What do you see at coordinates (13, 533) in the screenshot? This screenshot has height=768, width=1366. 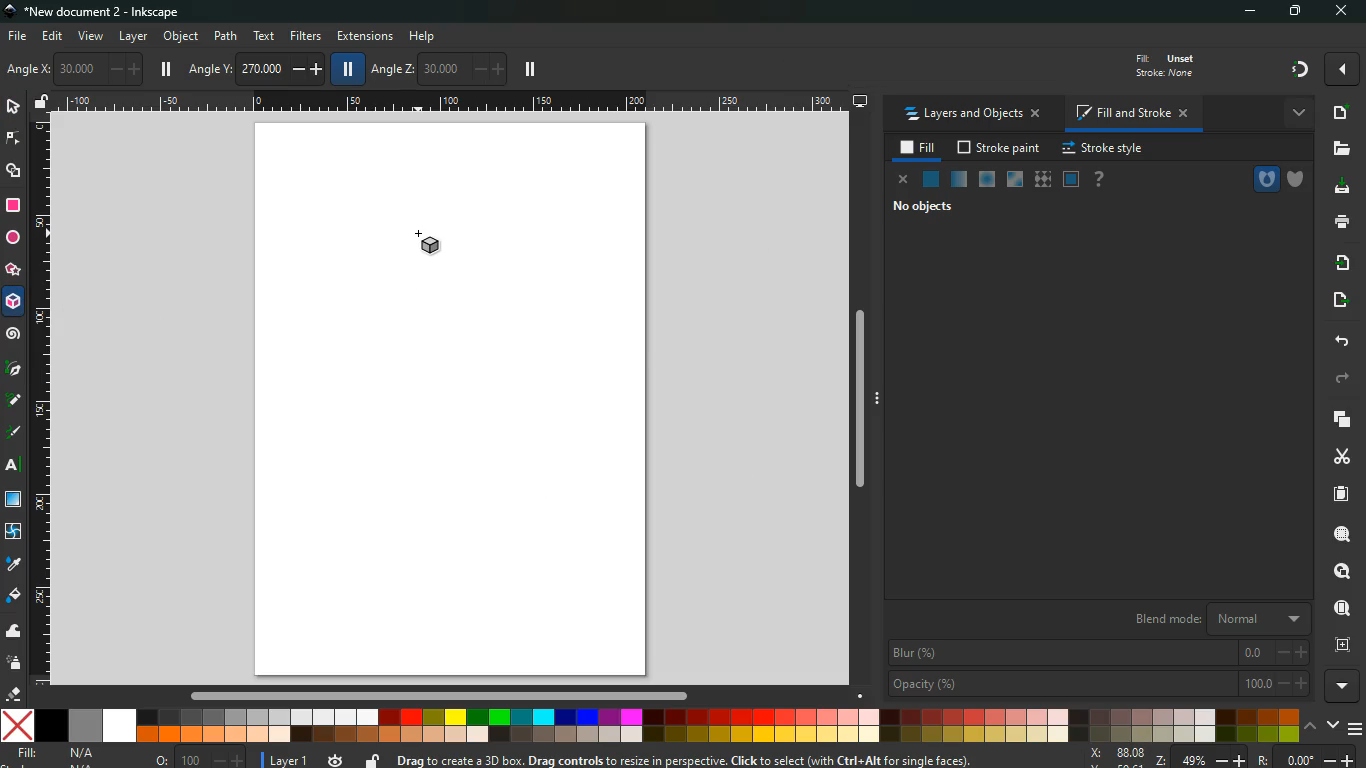 I see `twist` at bounding box center [13, 533].